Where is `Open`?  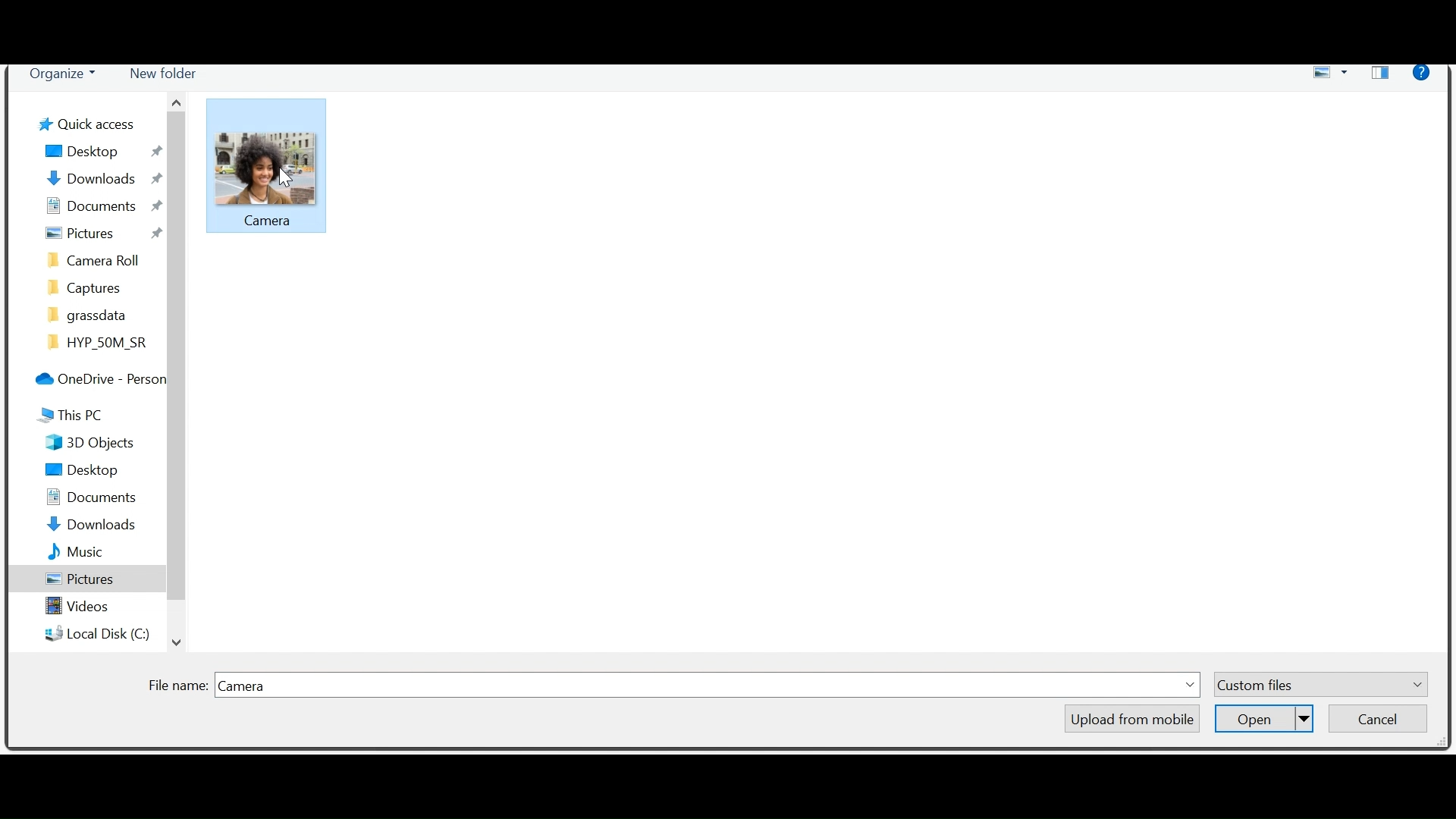 Open is located at coordinates (1263, 717).